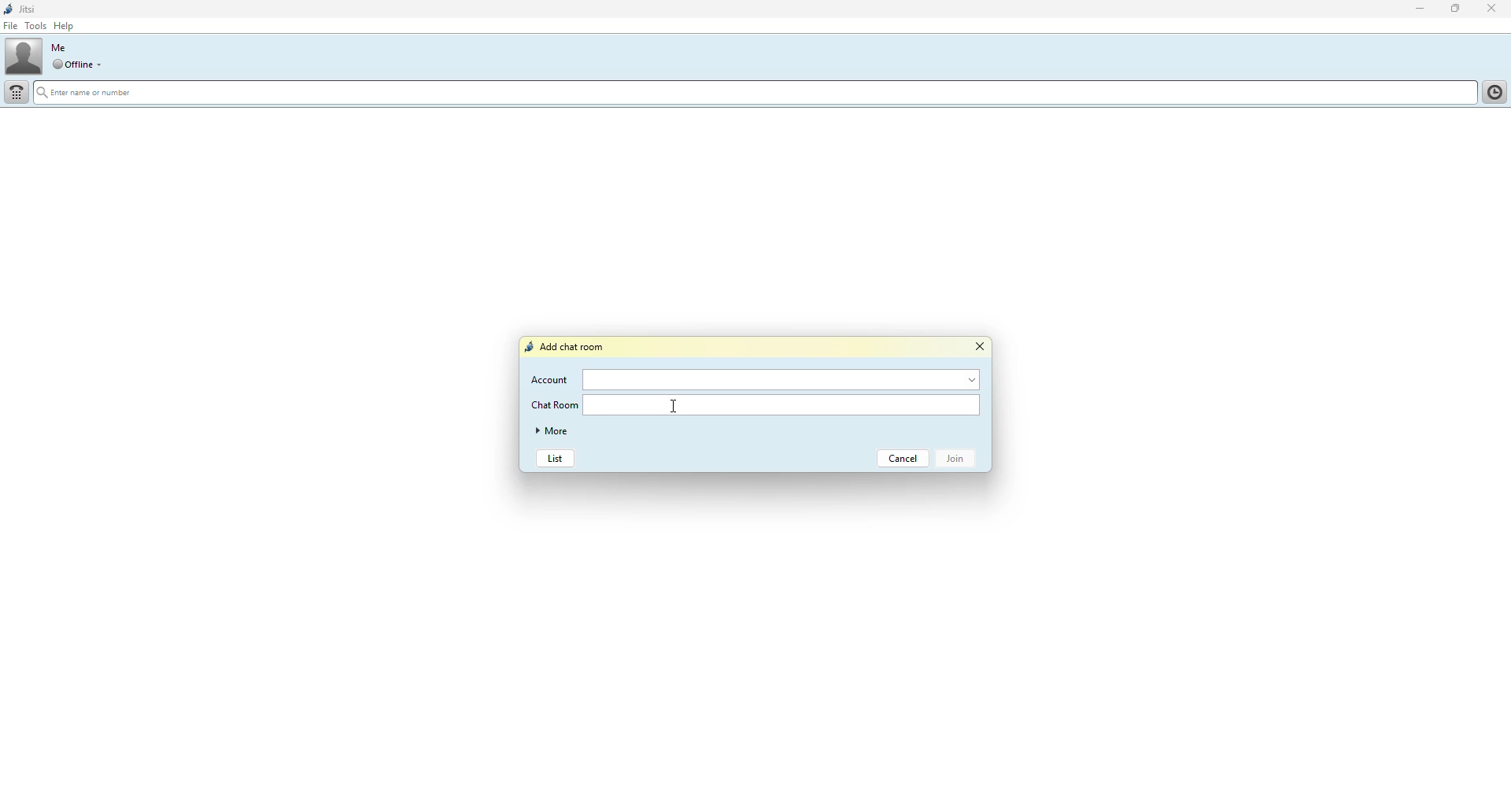  Describe the element at coordinates (1494, 8) in the screenshot. I see `close` at that location.